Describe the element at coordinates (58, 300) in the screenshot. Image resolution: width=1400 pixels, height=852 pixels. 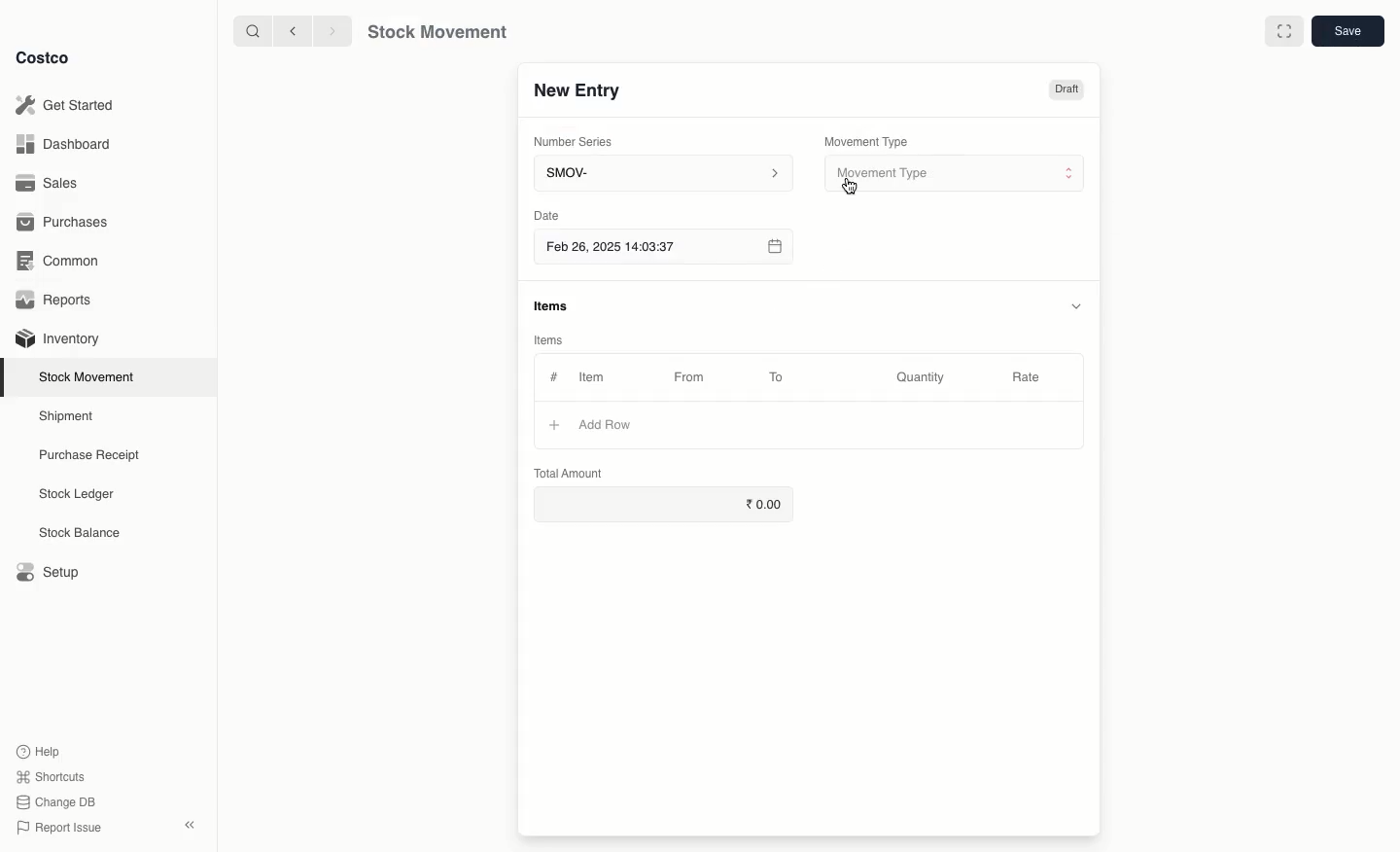
I see `Reports` at that location.